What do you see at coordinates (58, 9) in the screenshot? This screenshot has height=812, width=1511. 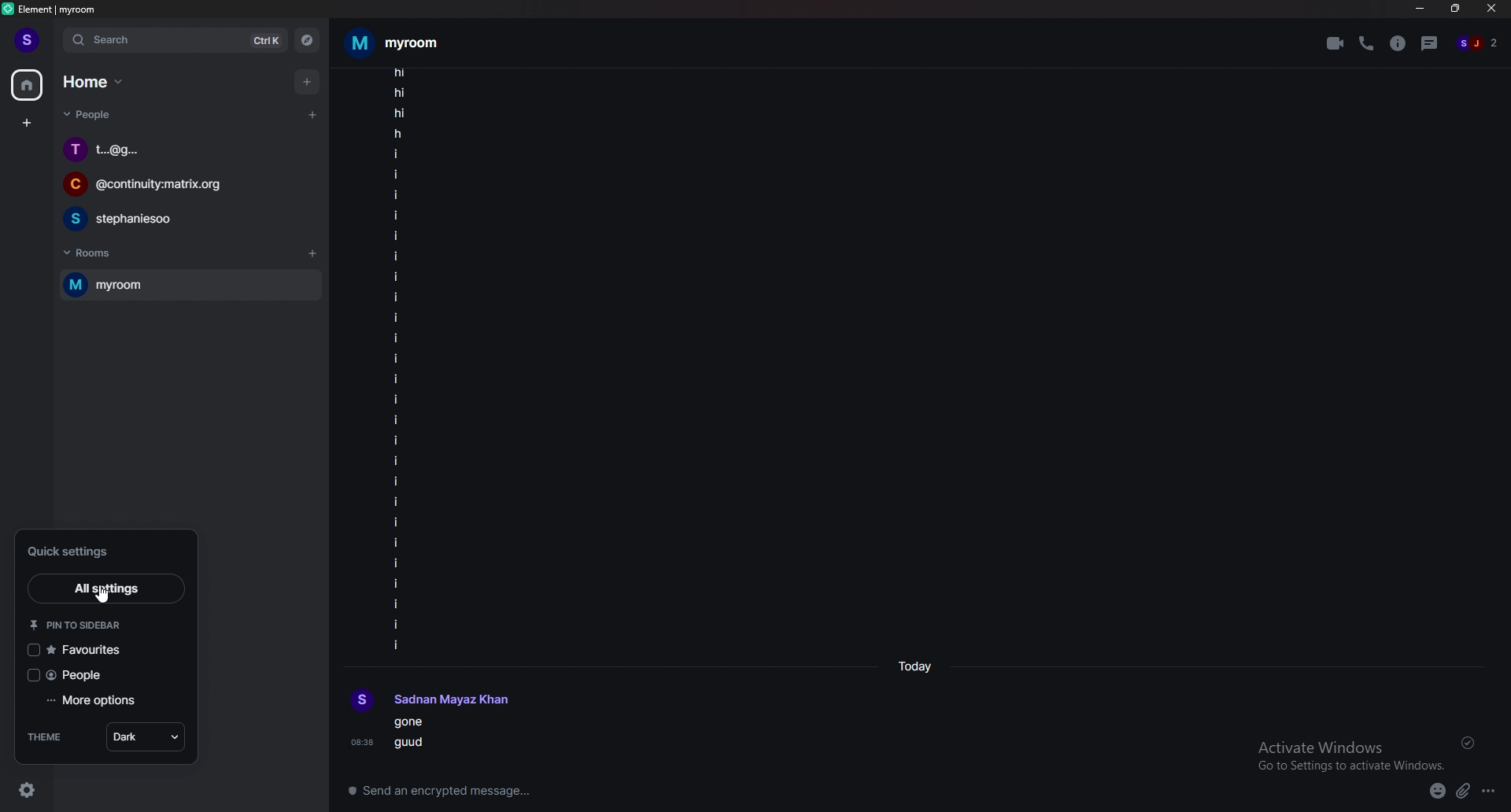 I see `title` at bounding box center [58, 9].